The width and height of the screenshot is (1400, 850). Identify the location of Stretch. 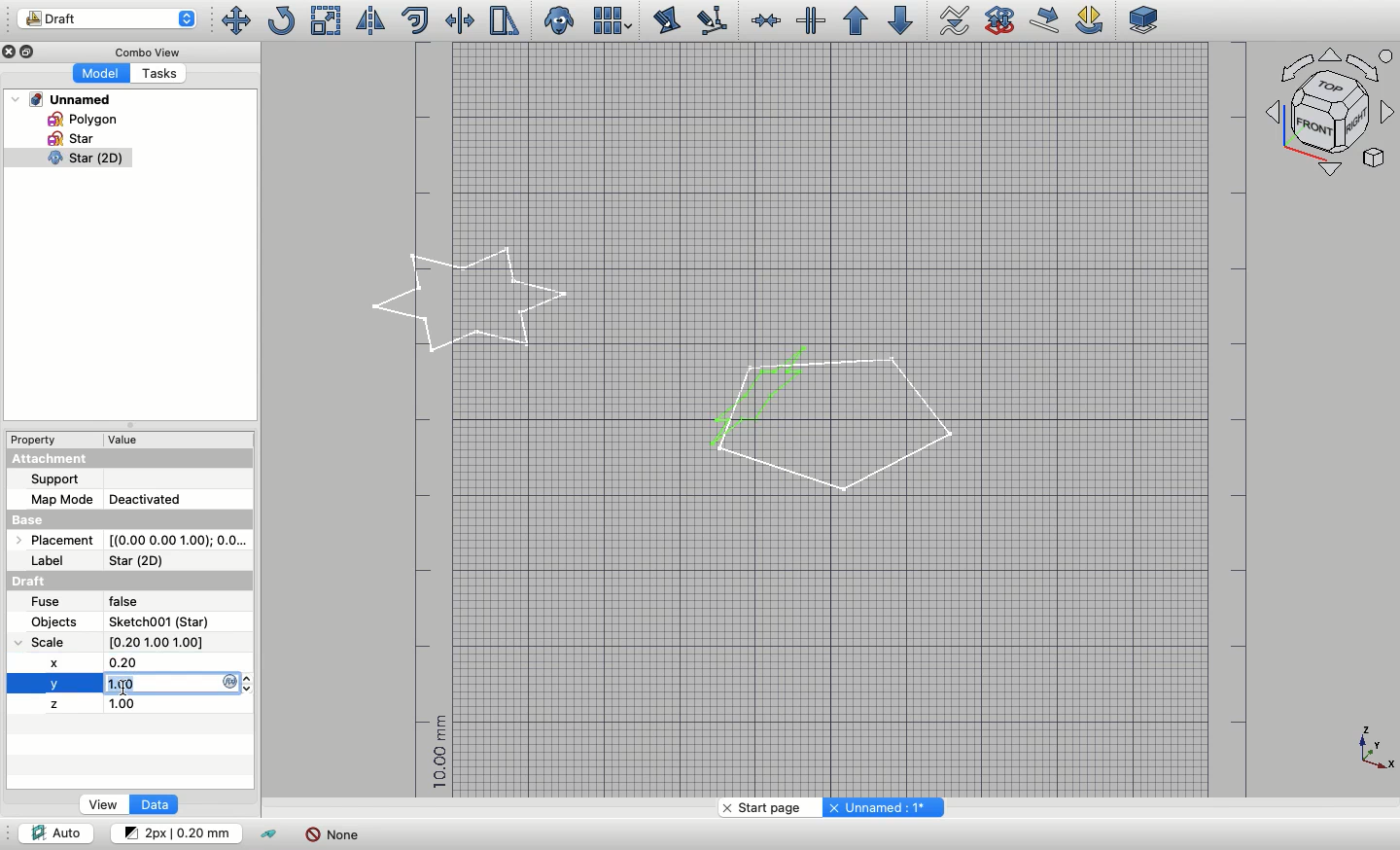
(503, 20).